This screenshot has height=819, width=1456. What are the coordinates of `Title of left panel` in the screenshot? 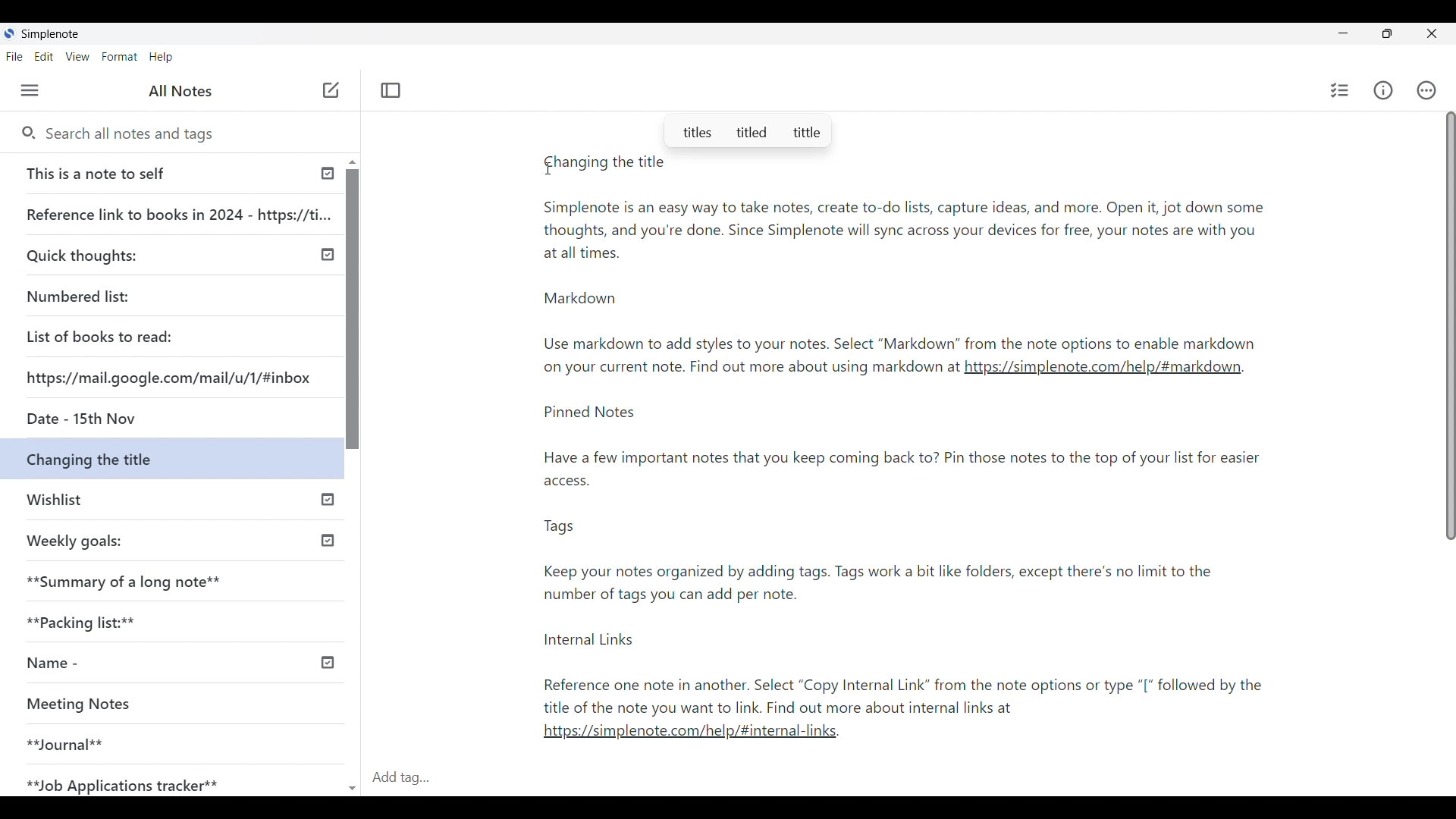 It's located at (180, 91).